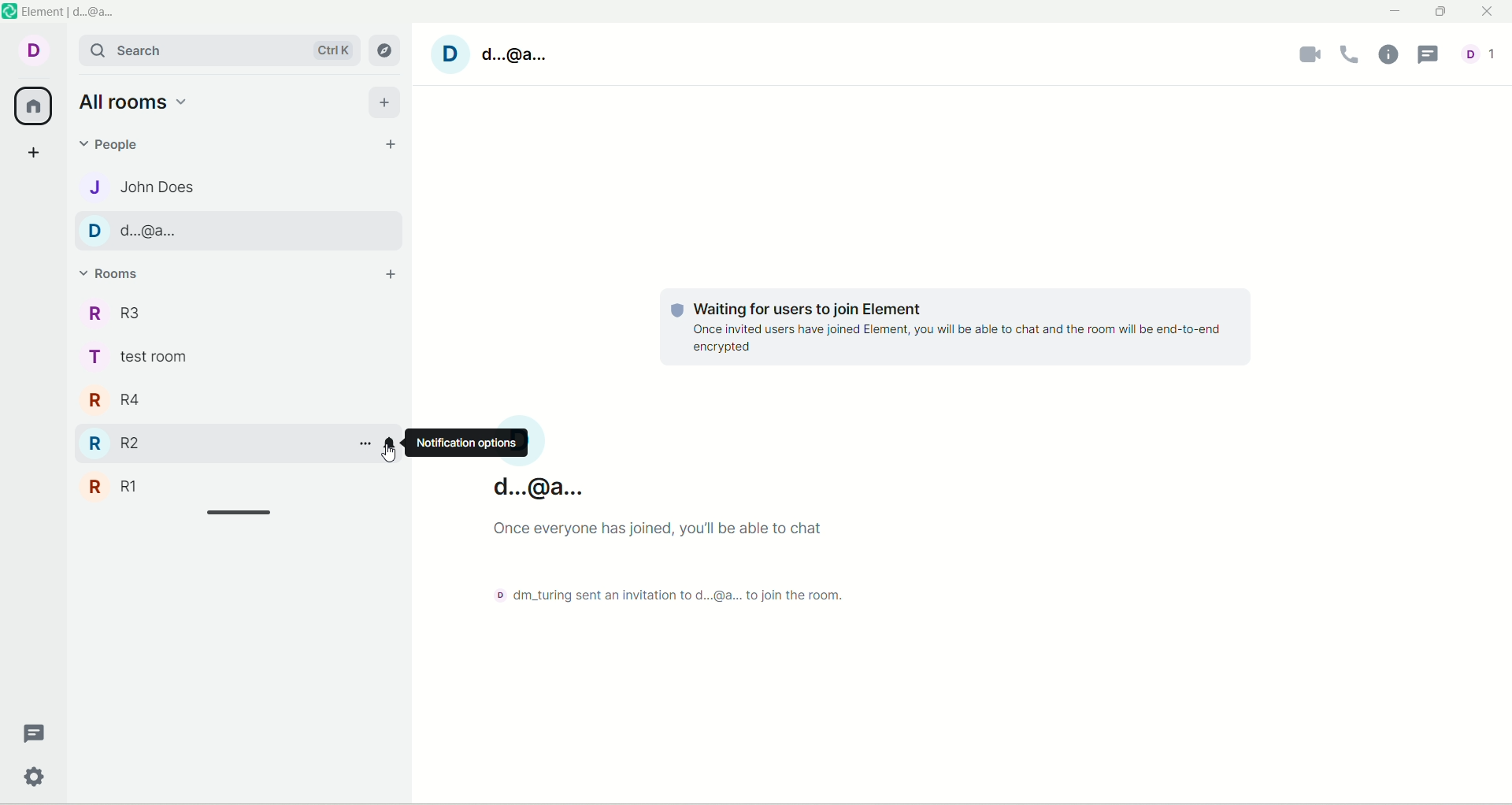 This screenshot has width=1512, height=805. What do you see at coordinates (385, 100) in the screenshot?
I see `add` at bounding box center [385, 100].